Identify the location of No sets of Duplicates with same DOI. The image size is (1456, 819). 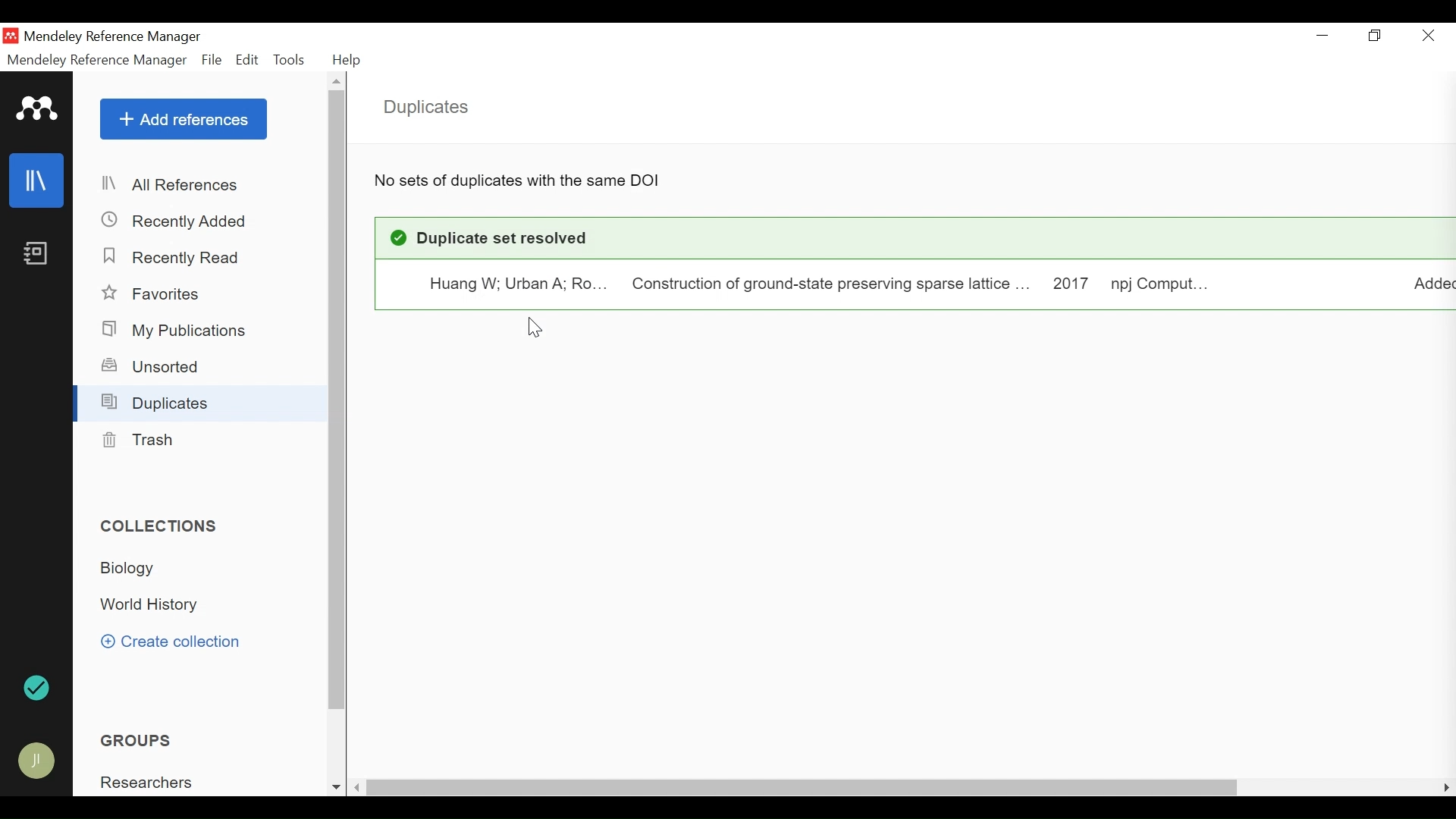
(519, 182).